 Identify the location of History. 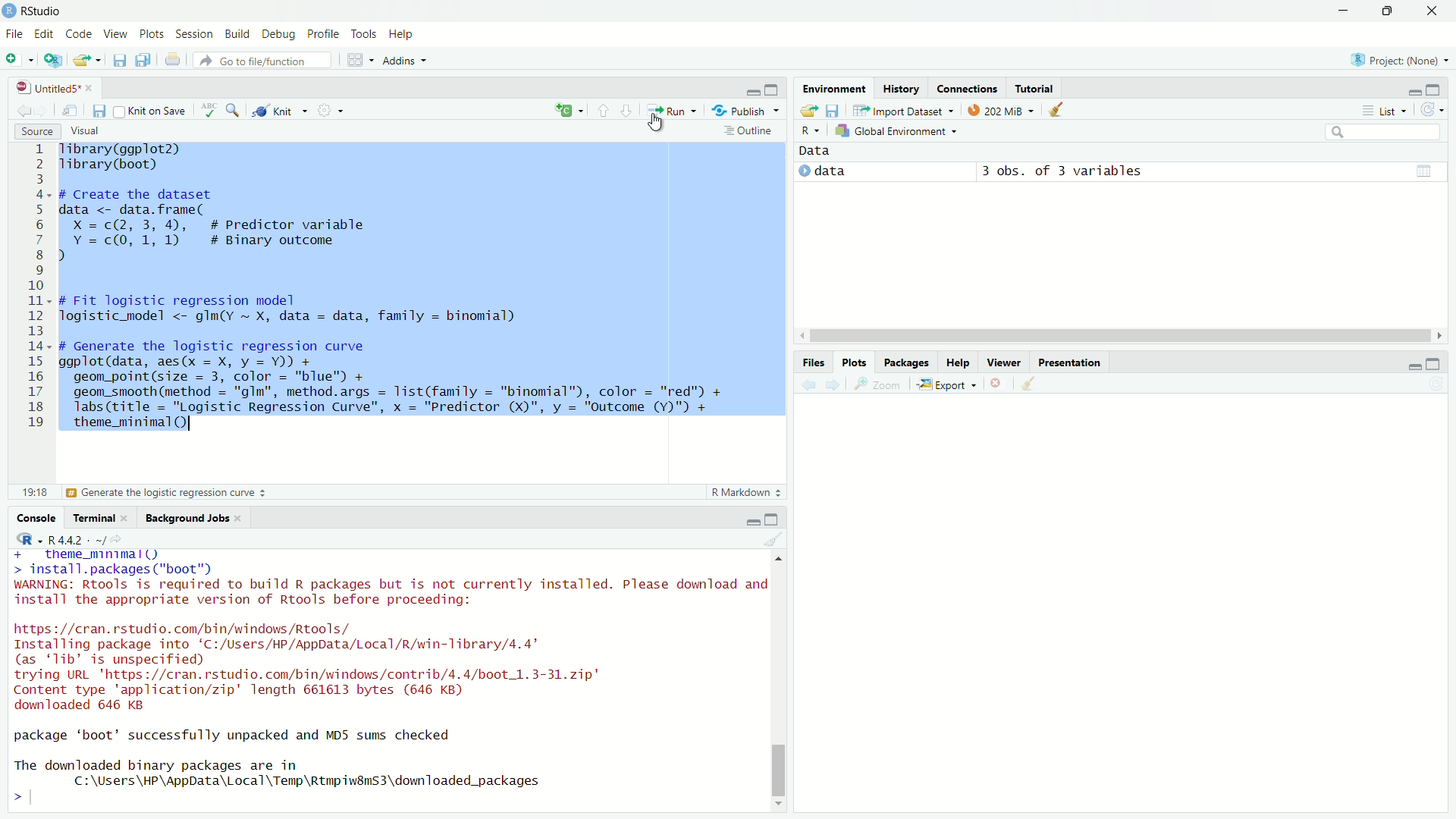
(902, 88).